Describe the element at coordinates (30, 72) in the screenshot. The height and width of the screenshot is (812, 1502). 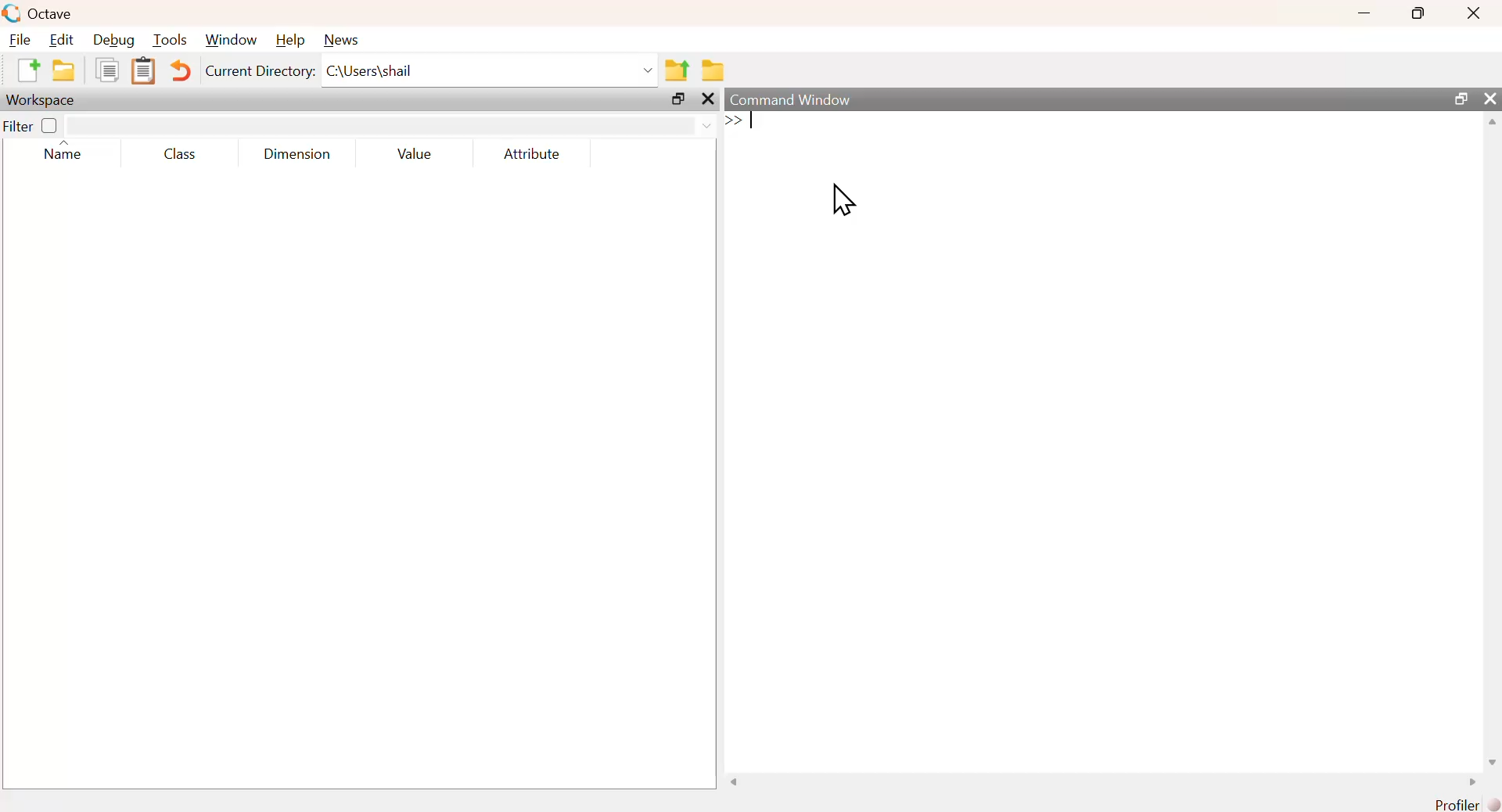
I see `new script` at that location.